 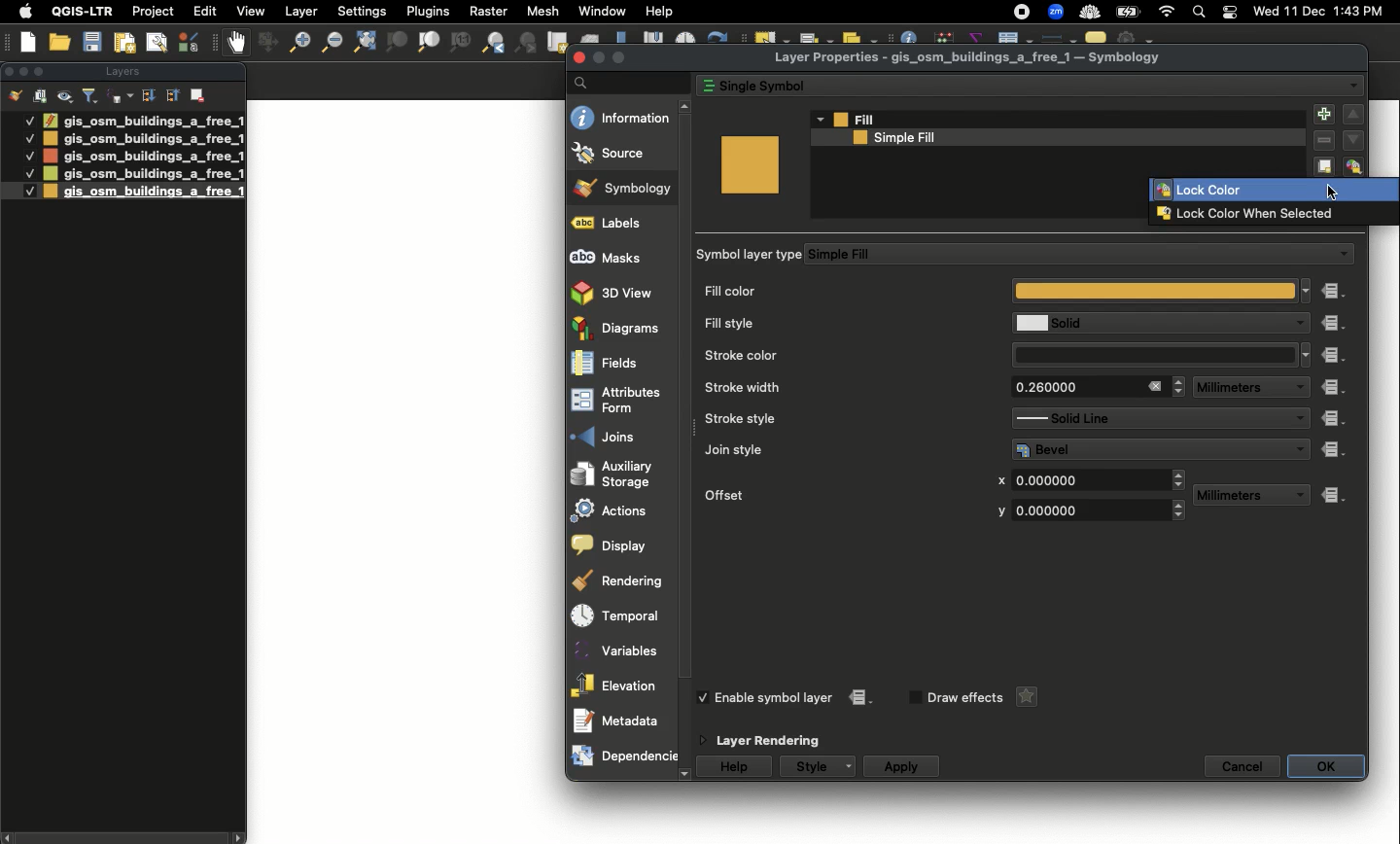 I want to click on Single symbol, so click(x=1009, y=84).